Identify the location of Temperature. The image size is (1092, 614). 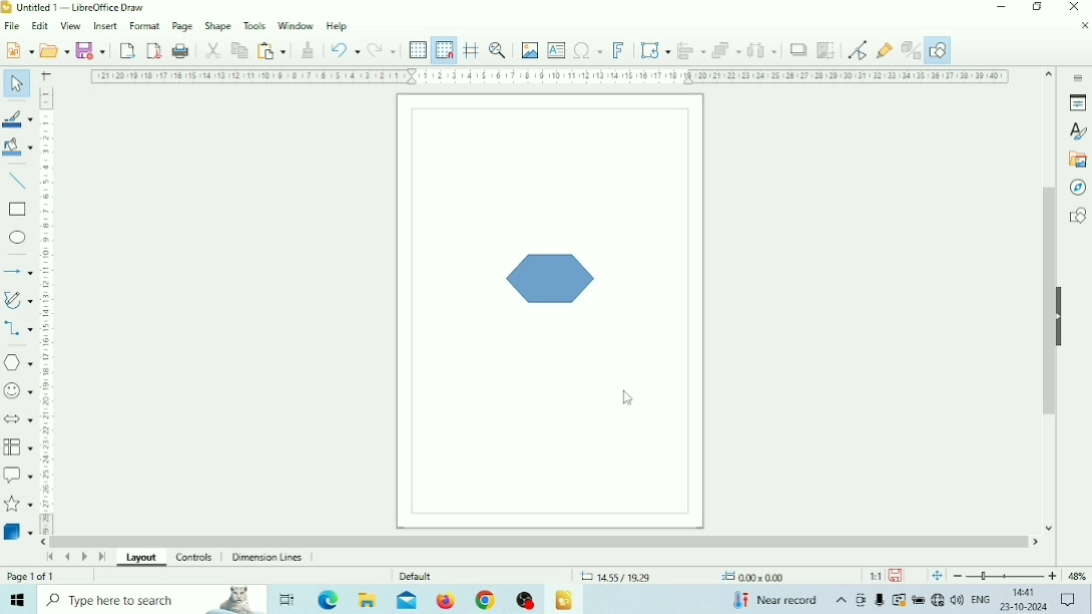
(774, 599).